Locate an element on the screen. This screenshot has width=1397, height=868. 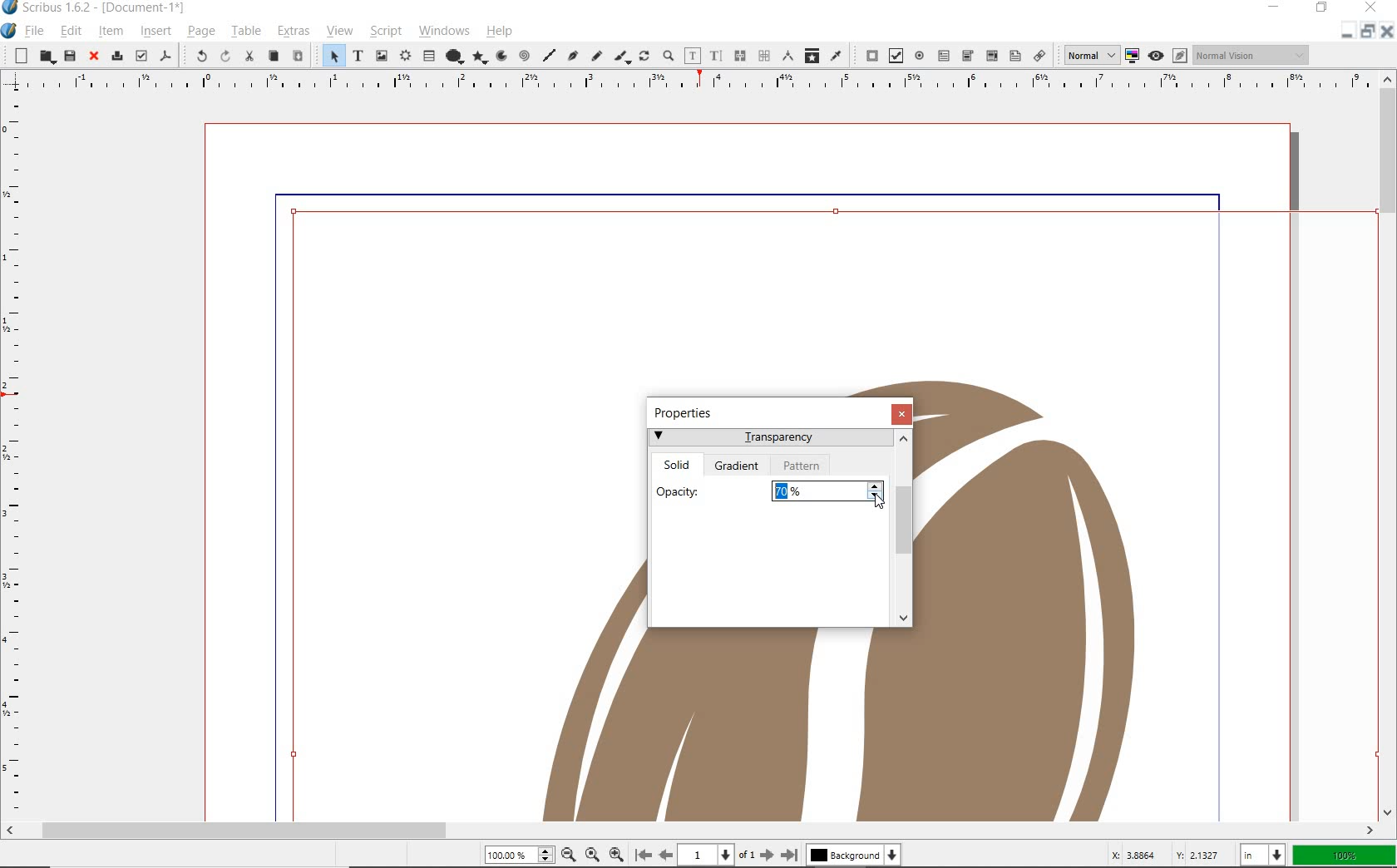
paste is located at coordinates (297, 55).